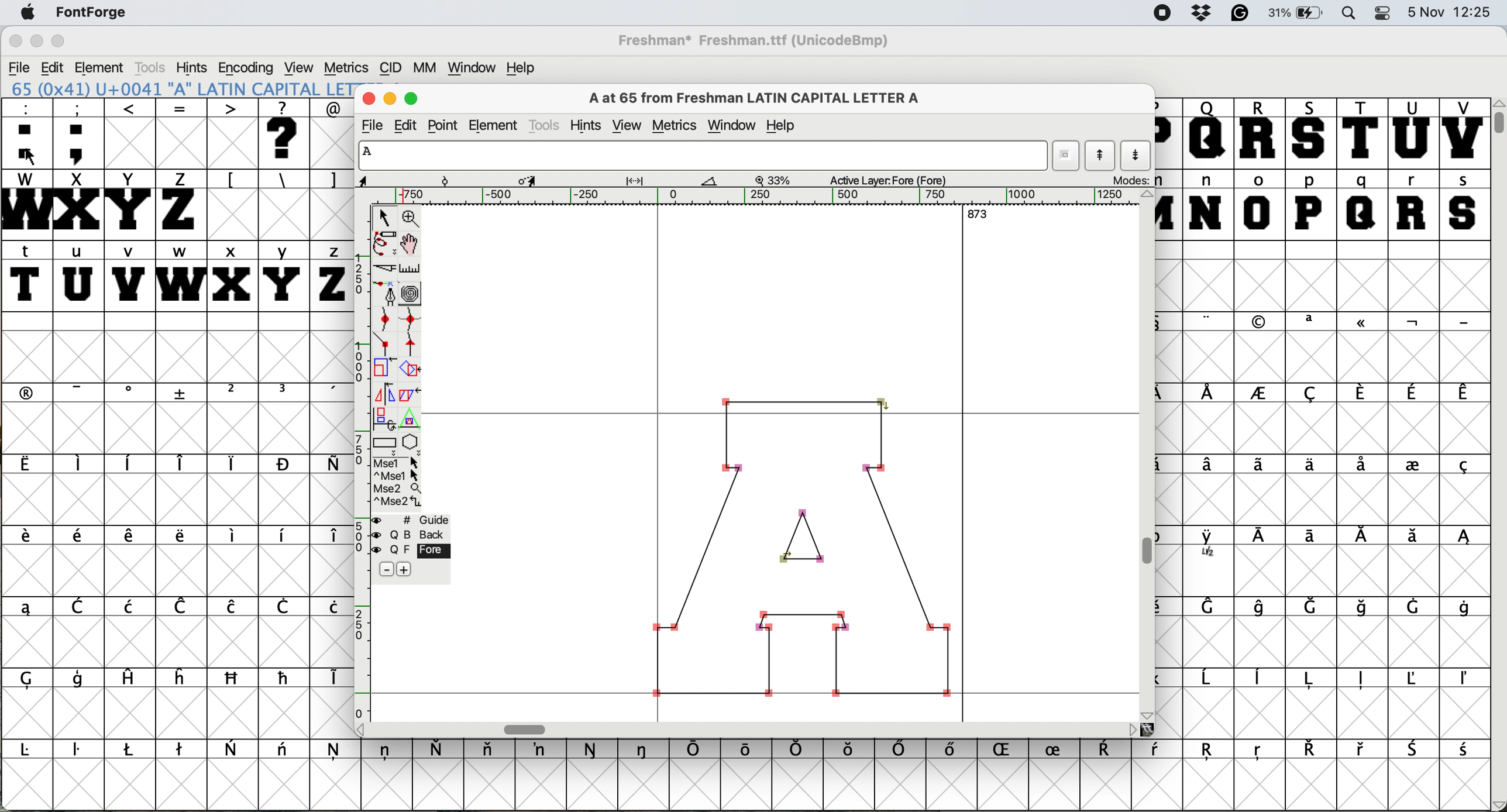 Image resolution: width=1507 pixels, height=812 pixels. Describe the element at coordinates (407, 126) in the screenshot. I see `edit` at that location.